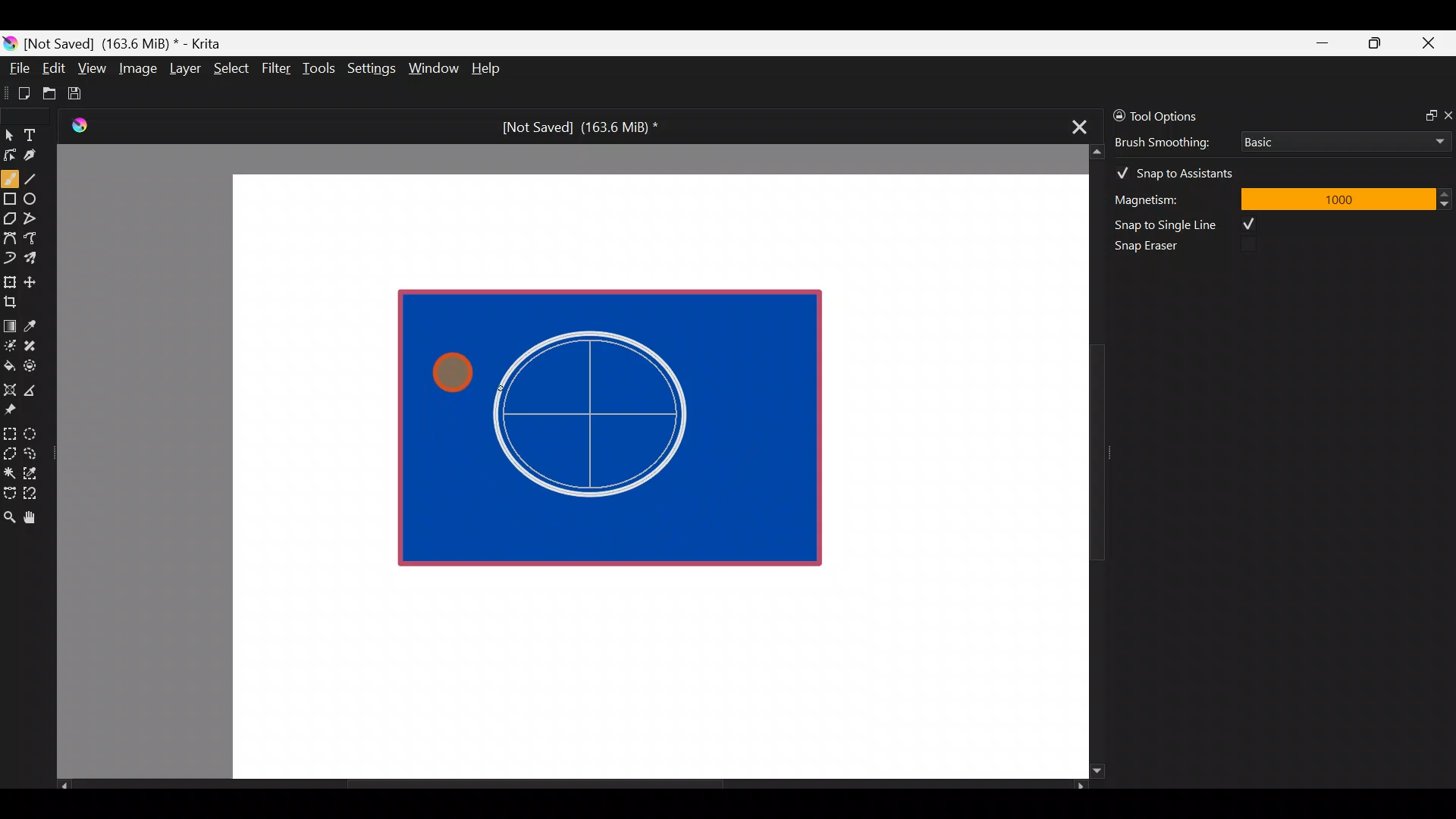  Describe the element at coordinates (77, 125) in the screenshot. I see `Krita Logo` at that location.